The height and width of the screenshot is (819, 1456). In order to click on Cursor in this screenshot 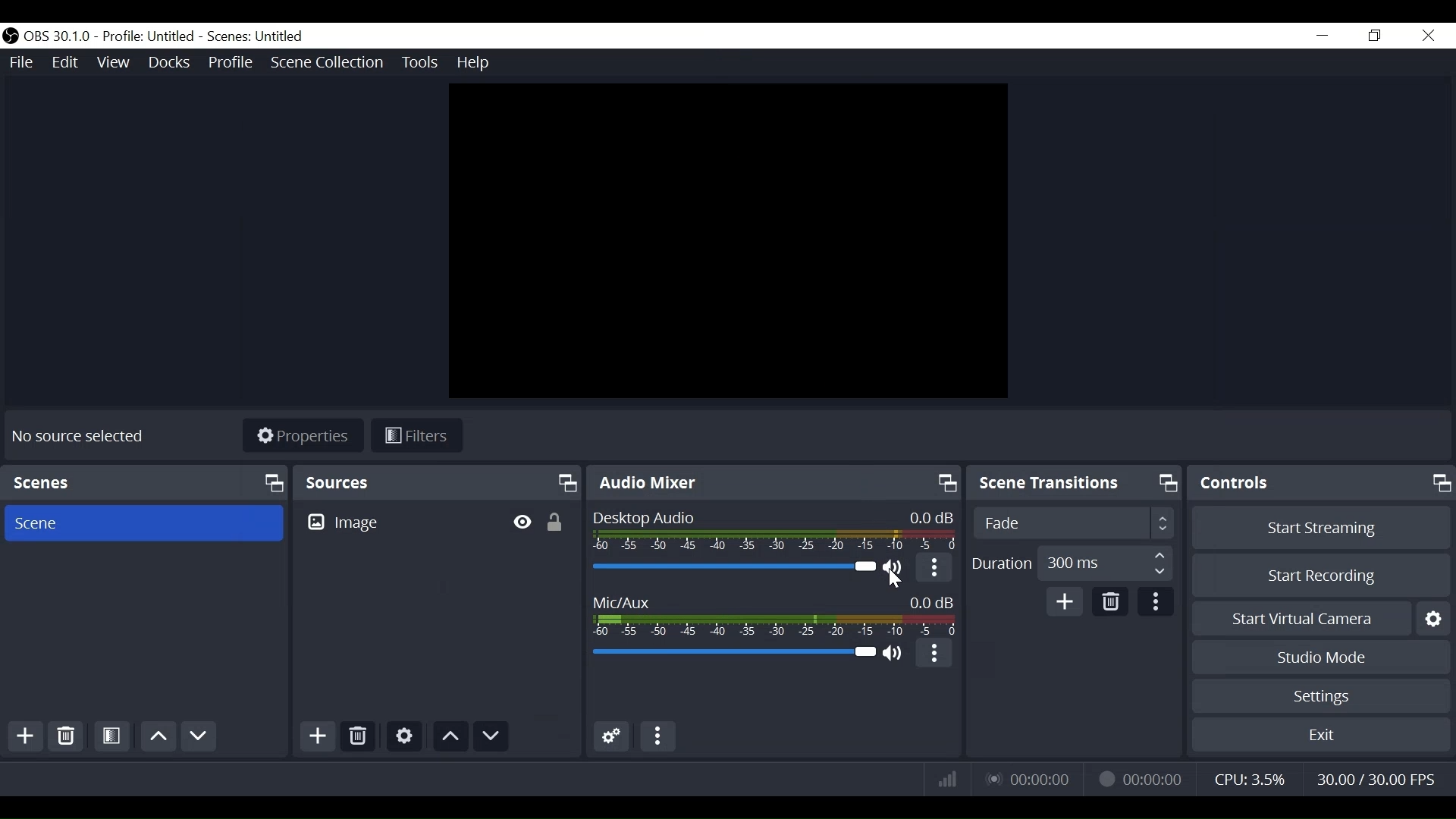, I will do `click(902, 582)`.